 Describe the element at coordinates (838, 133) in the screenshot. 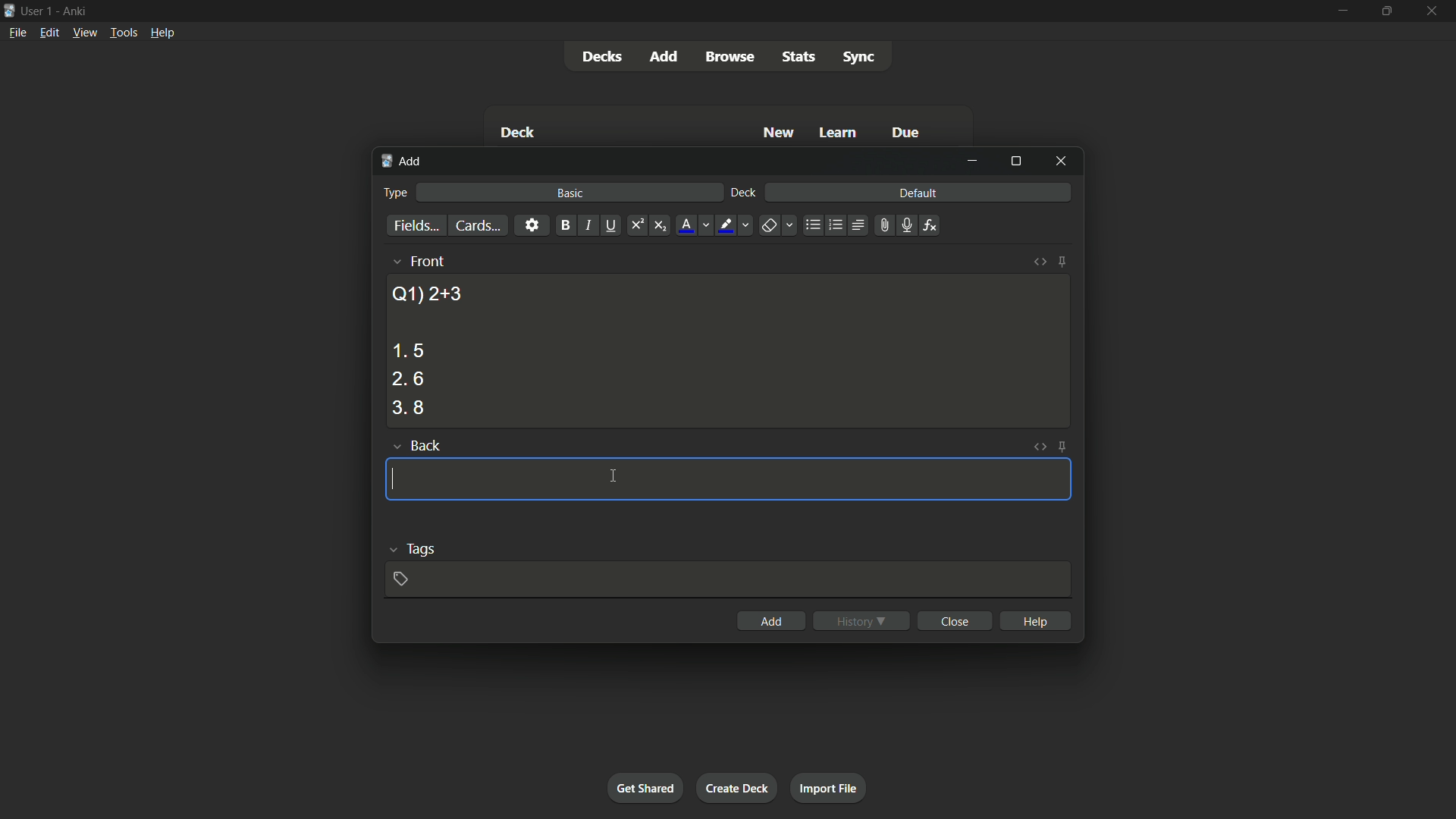

I see `learn` at that location.